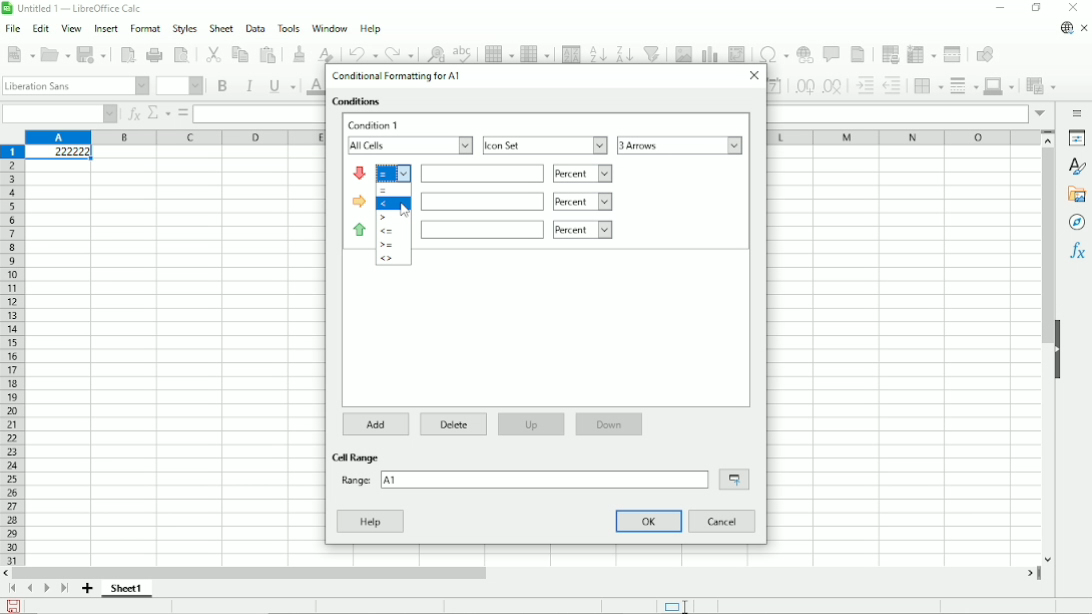 This screenshot has height=614, width=1092. Describe the element at coordinates (928, 85) in the screenshot. I see `Borders` at that location.